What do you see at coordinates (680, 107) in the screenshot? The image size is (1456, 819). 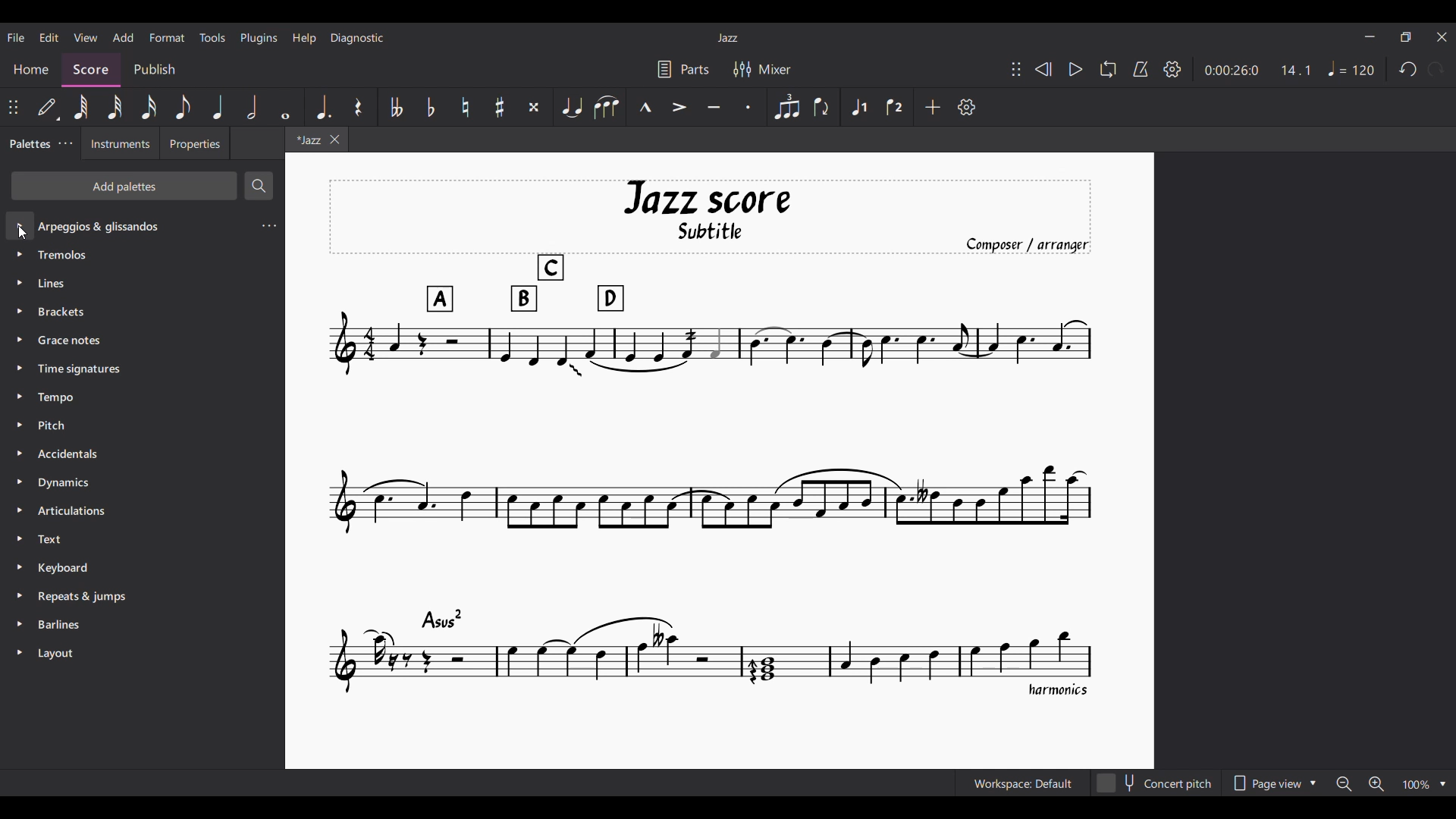 I see `Accent` at bounding box center [680, 107].